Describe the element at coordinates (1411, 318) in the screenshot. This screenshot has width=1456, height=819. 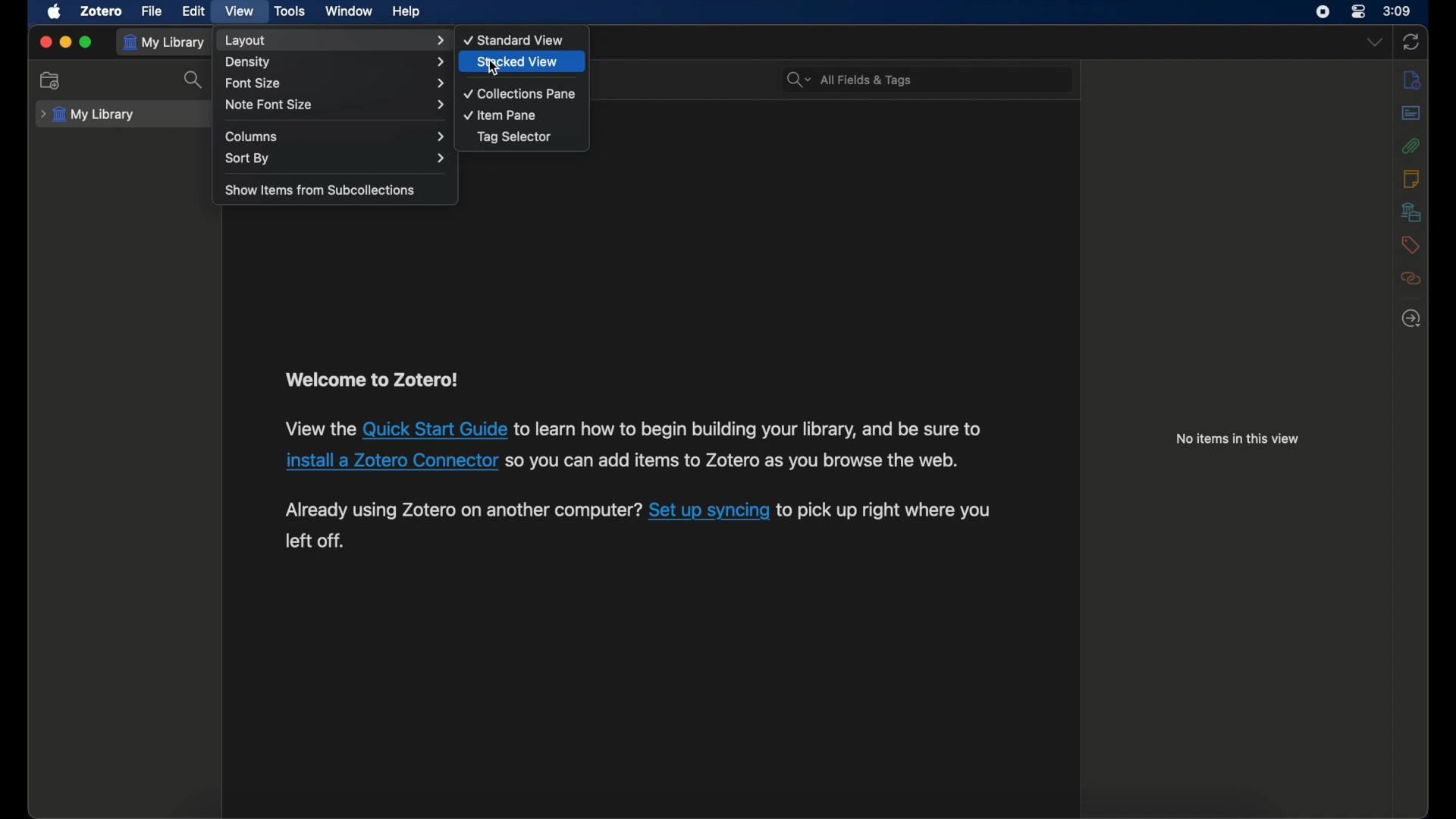
I see `locate` at that location.